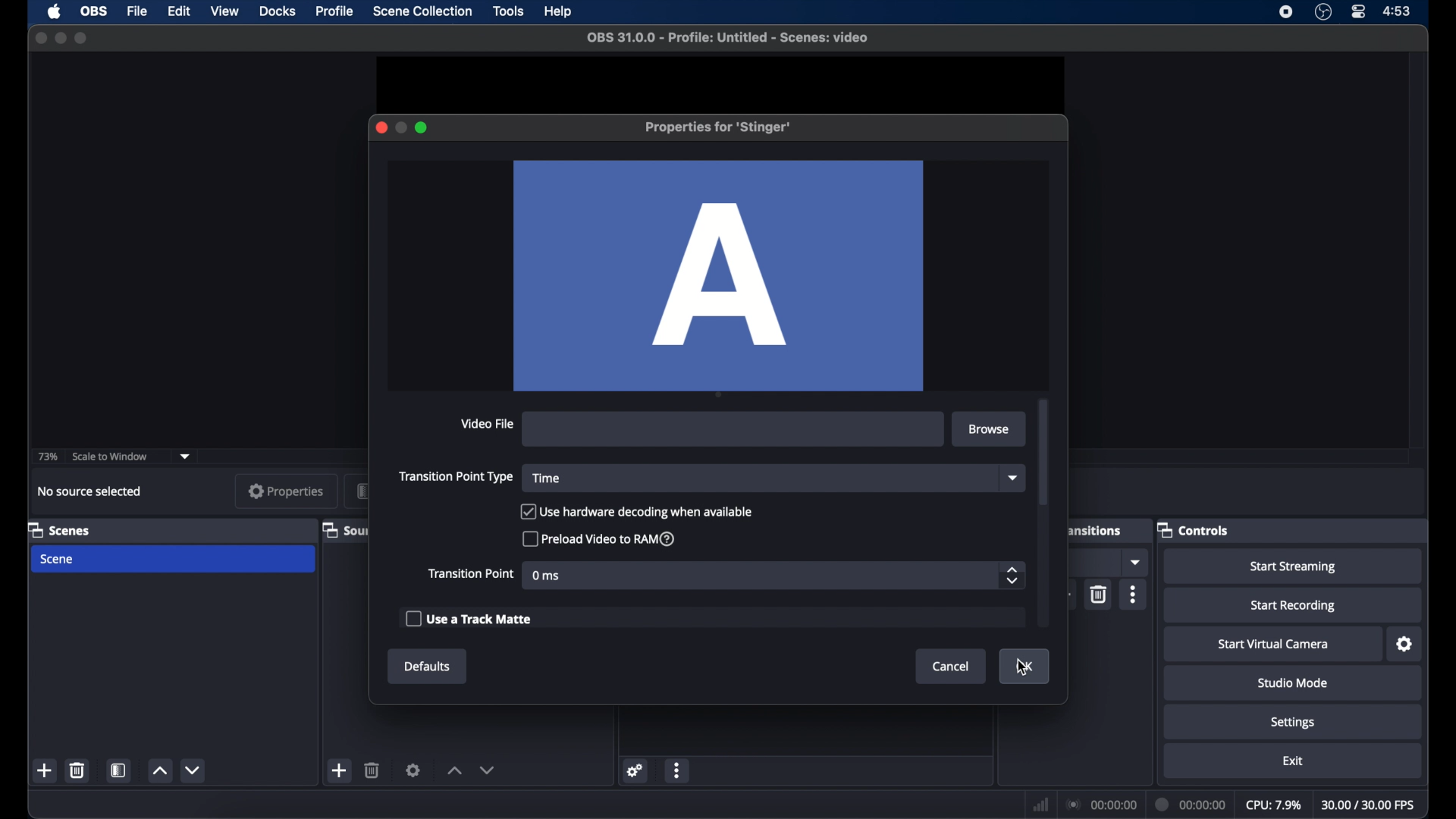  I want to click on edit, so click(178, 11).